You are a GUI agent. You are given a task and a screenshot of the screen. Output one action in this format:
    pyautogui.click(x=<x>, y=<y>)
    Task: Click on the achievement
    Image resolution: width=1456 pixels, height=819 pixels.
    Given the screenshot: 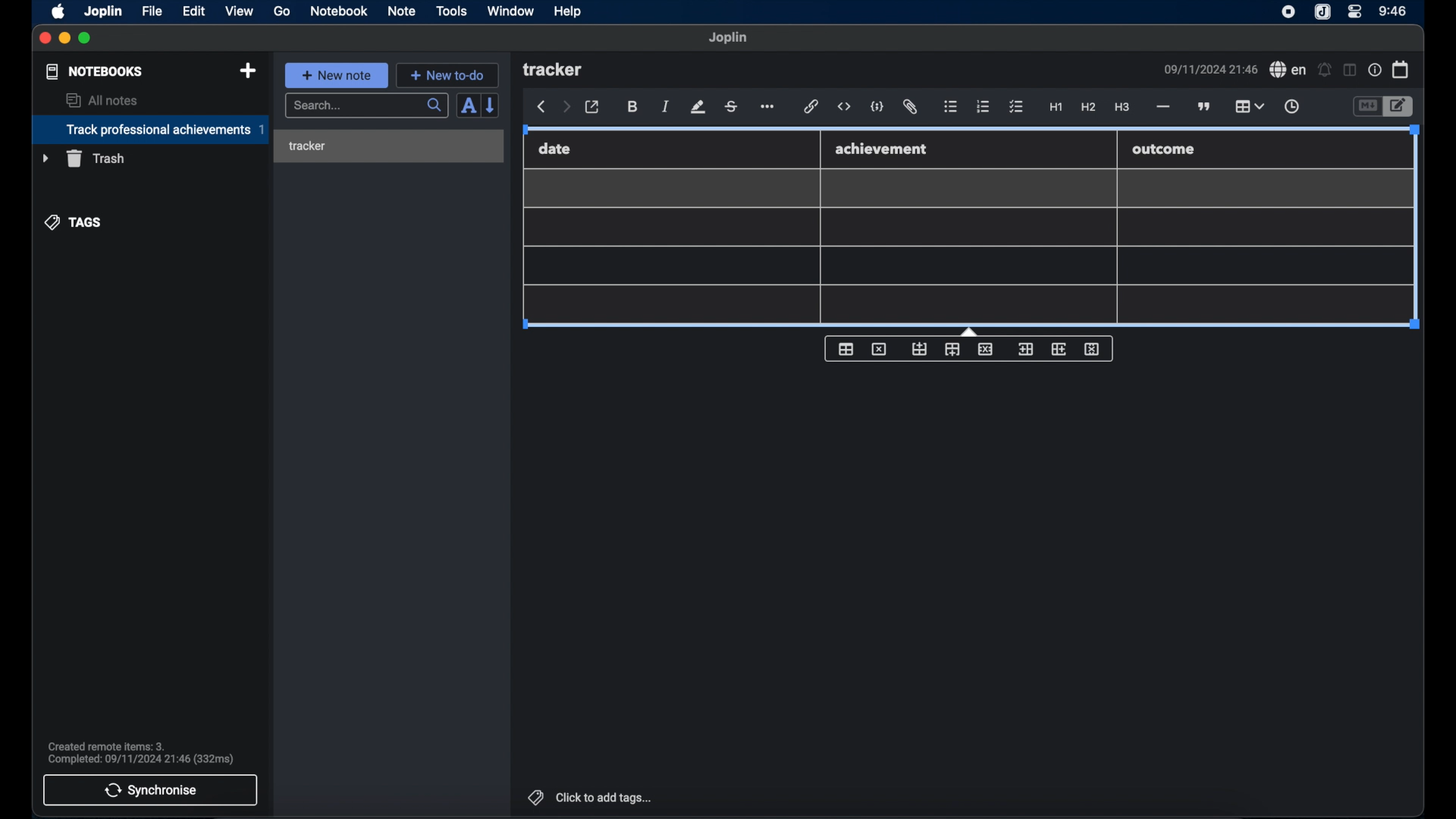 What is the action you would take?
    pyautogui.click(x=883, y=149)
    